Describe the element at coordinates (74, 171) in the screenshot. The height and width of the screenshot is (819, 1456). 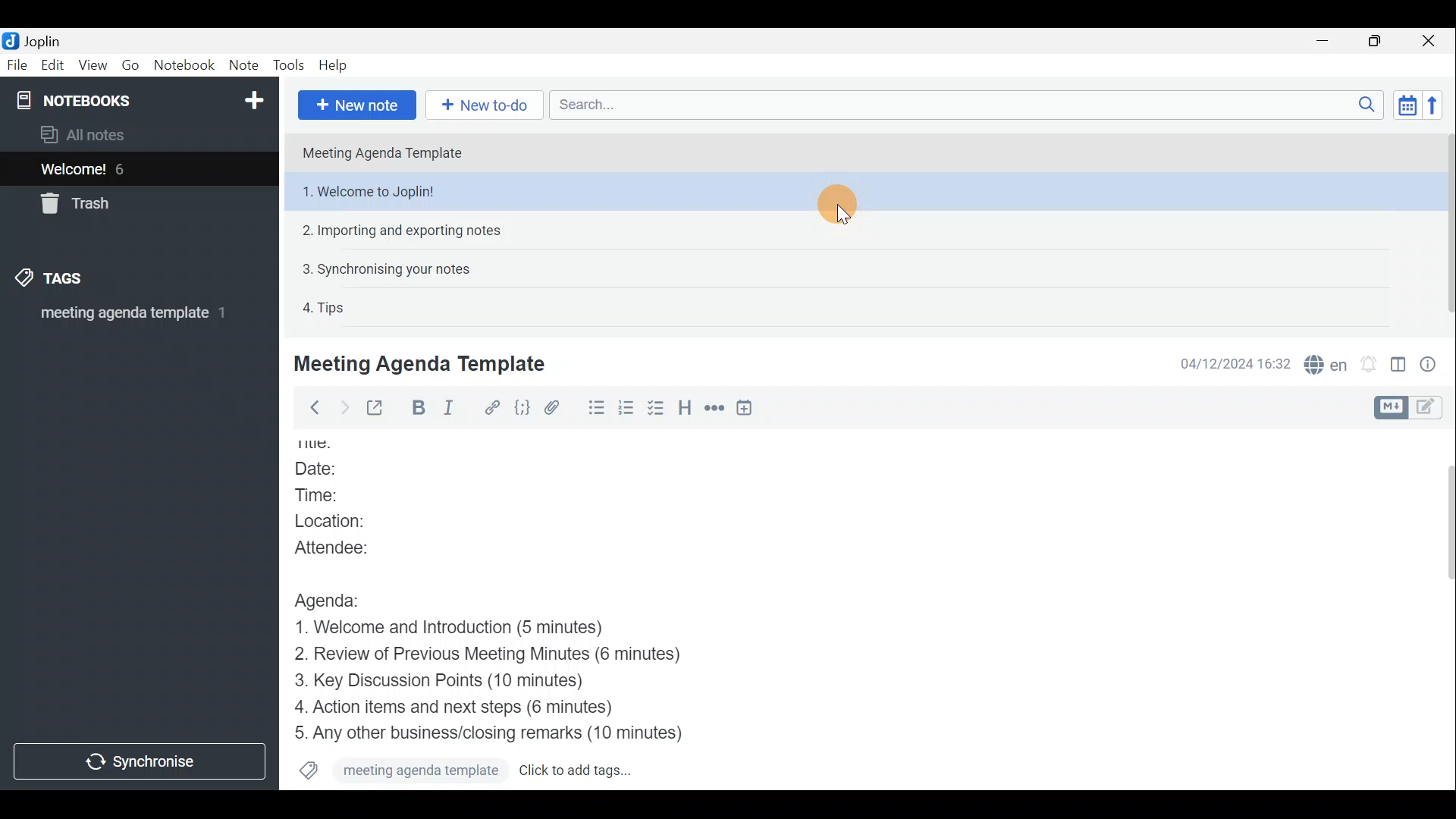
I see `Welcome!` at that location.